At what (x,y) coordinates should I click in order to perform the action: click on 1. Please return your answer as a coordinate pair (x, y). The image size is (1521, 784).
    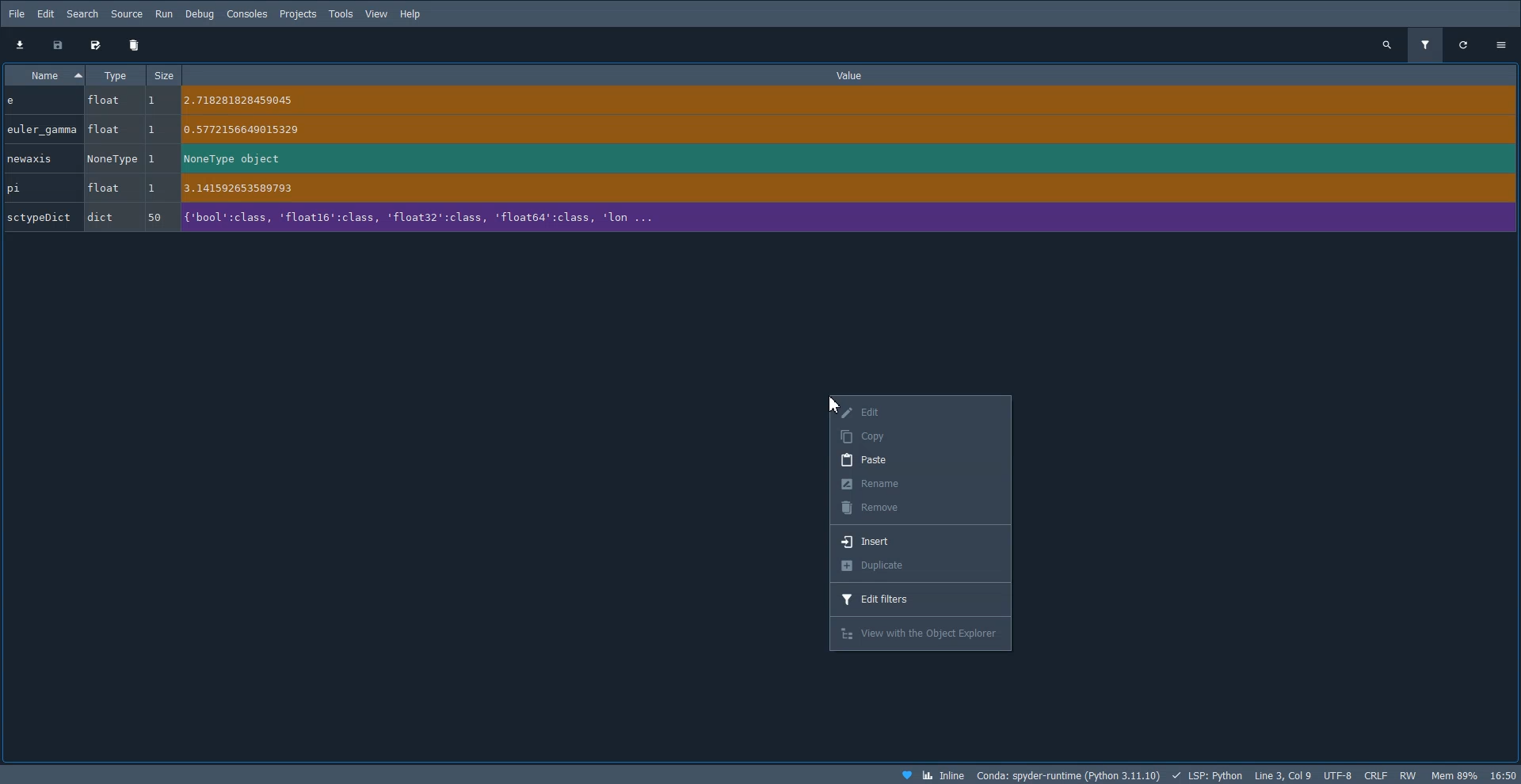
    Looking at the image, I should click on (151, 188).